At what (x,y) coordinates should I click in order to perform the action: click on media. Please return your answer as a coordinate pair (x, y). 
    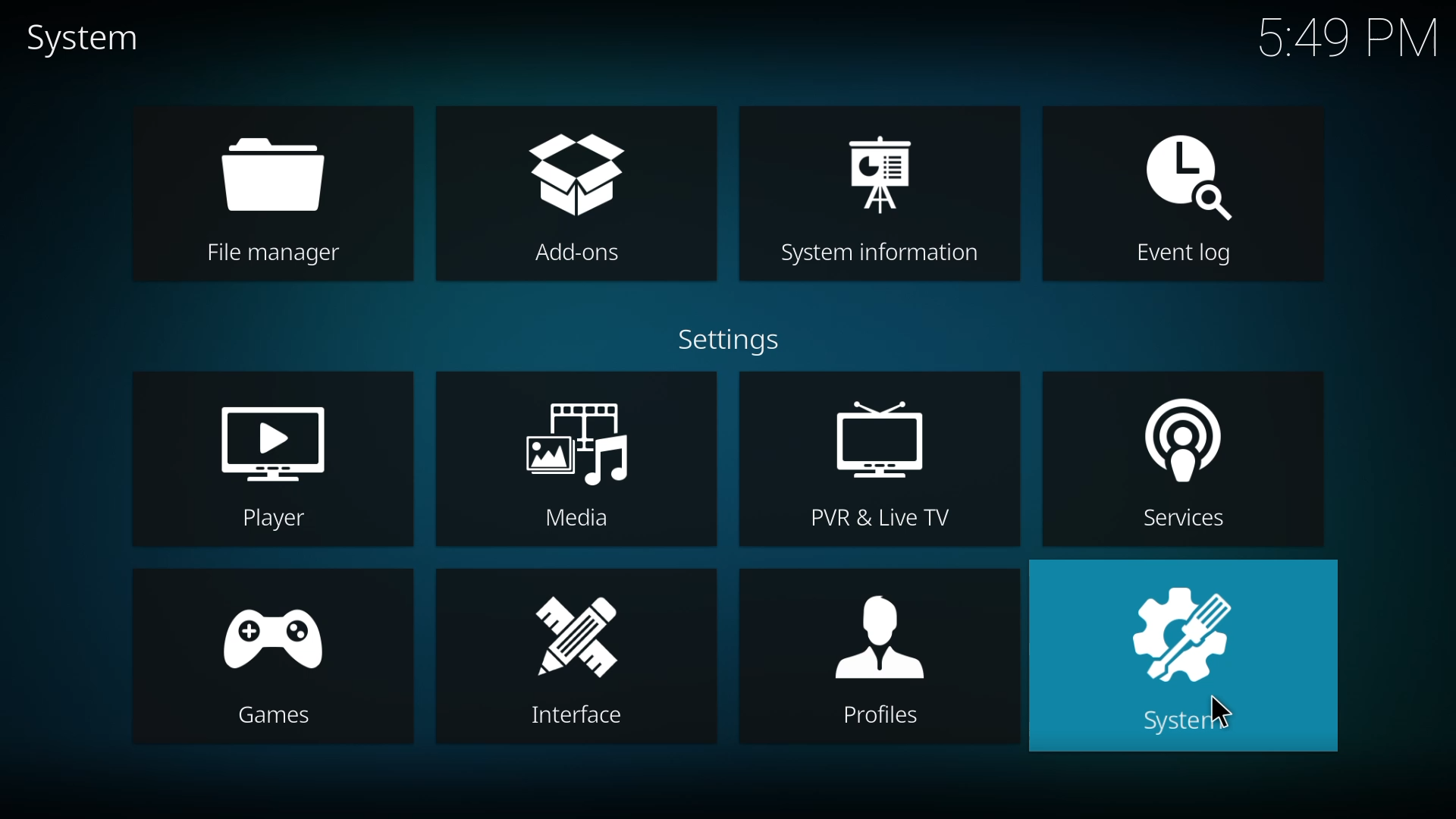
    Looking at the image, I should click on (581, 464).